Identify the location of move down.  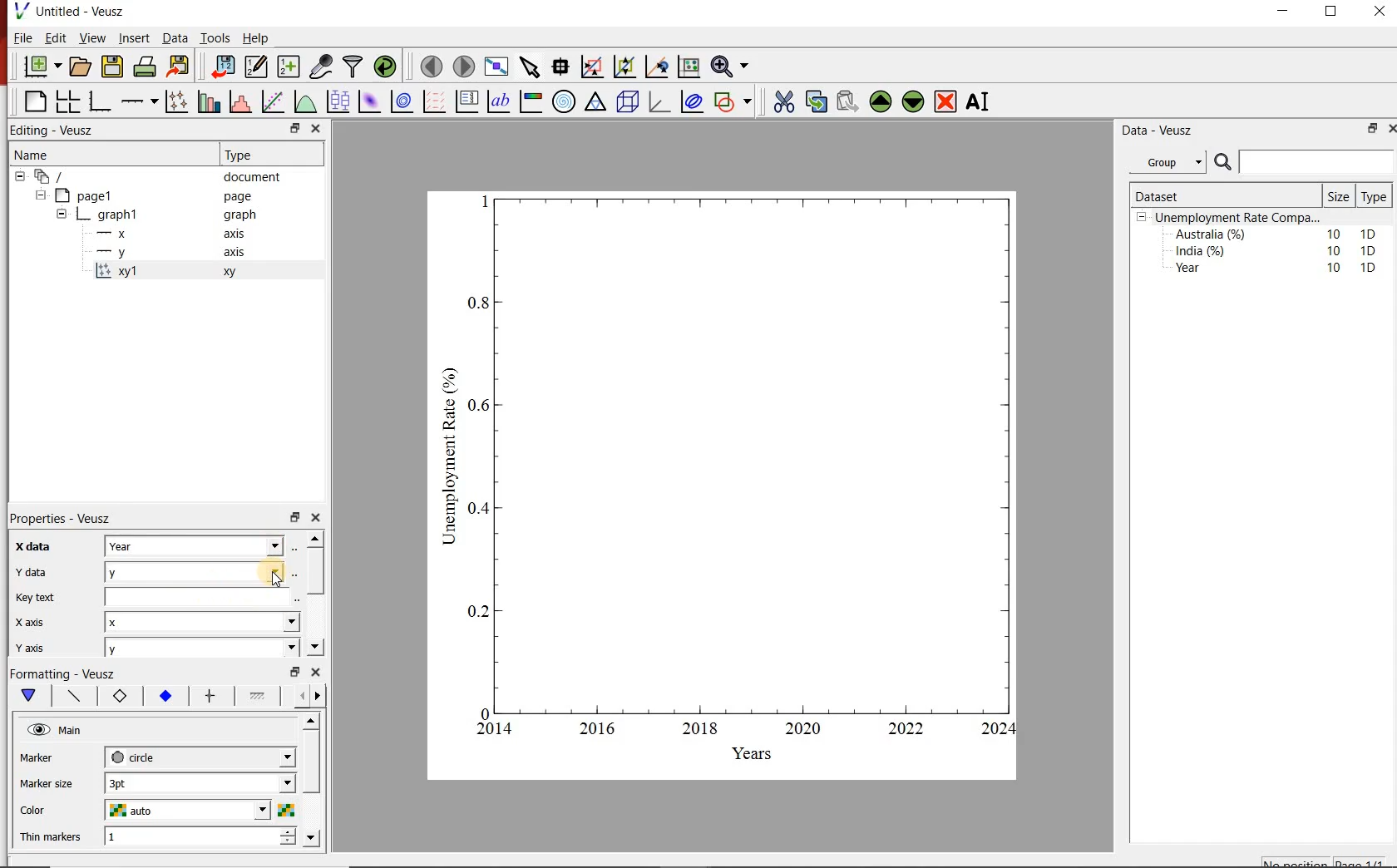
(311, 838).